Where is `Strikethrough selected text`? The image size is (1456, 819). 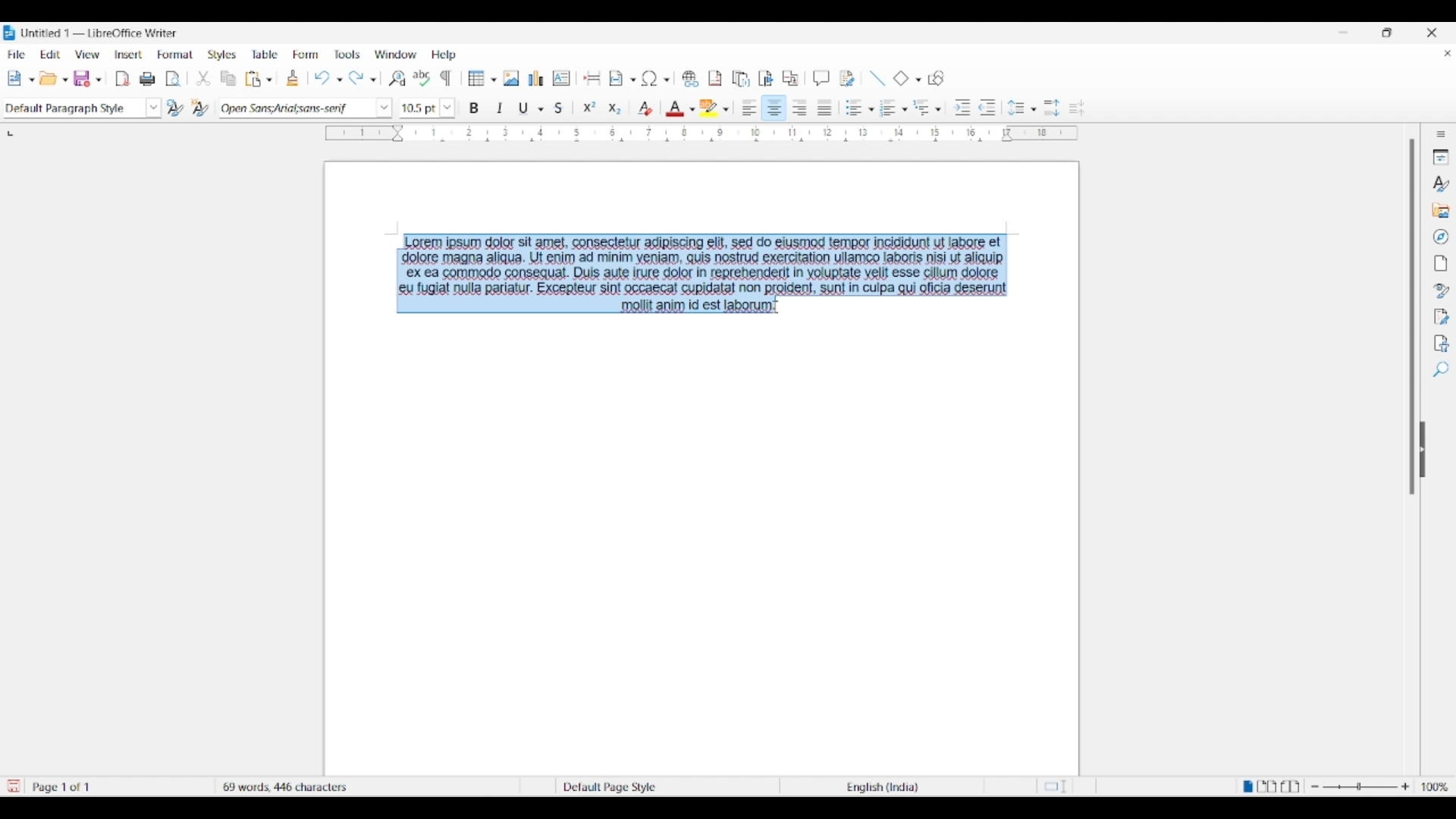 Strikethrough selected text is located at coordinates (560, 107).